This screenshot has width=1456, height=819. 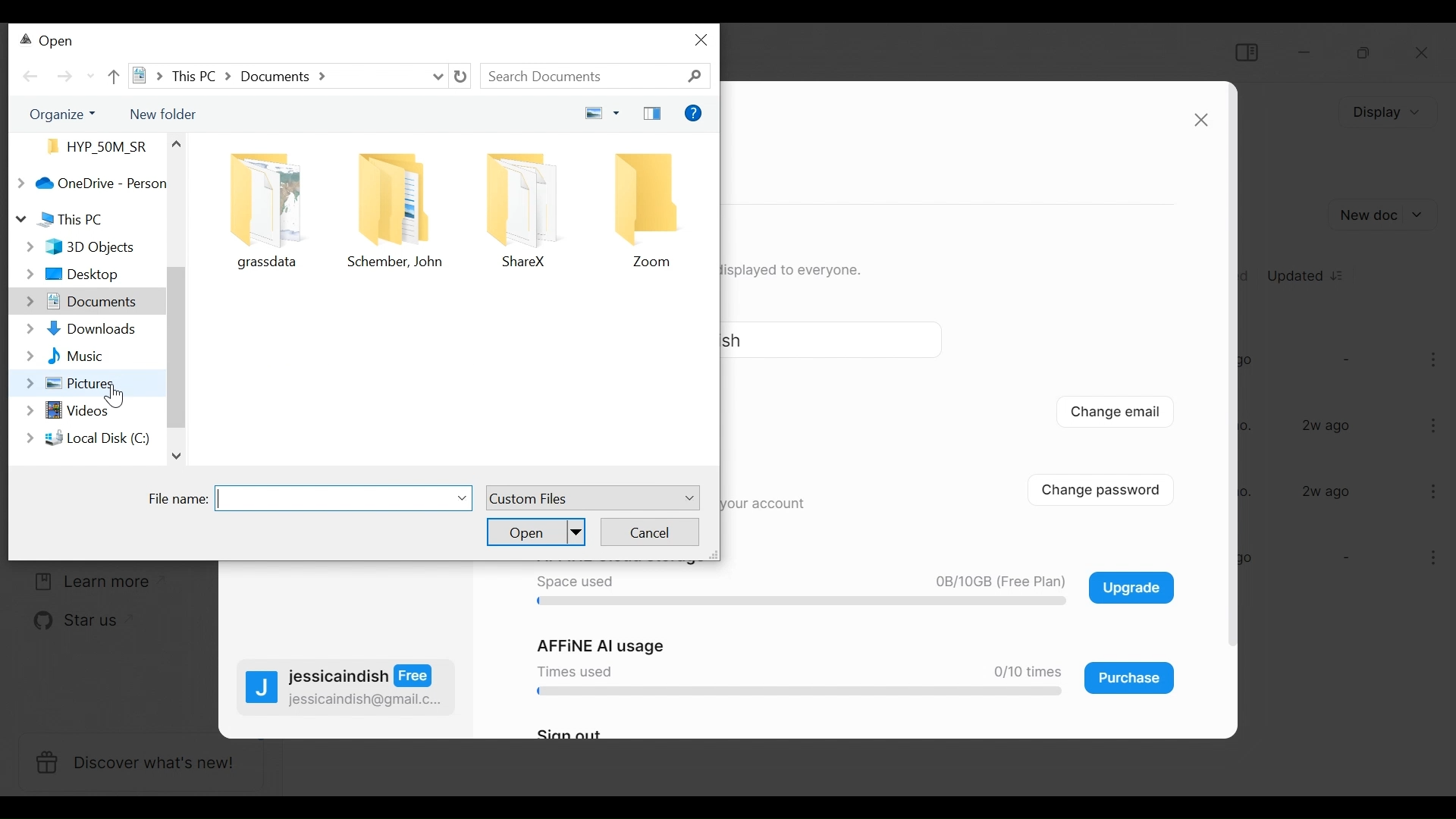 I want to click on more options, so click(x=1436, y=362).